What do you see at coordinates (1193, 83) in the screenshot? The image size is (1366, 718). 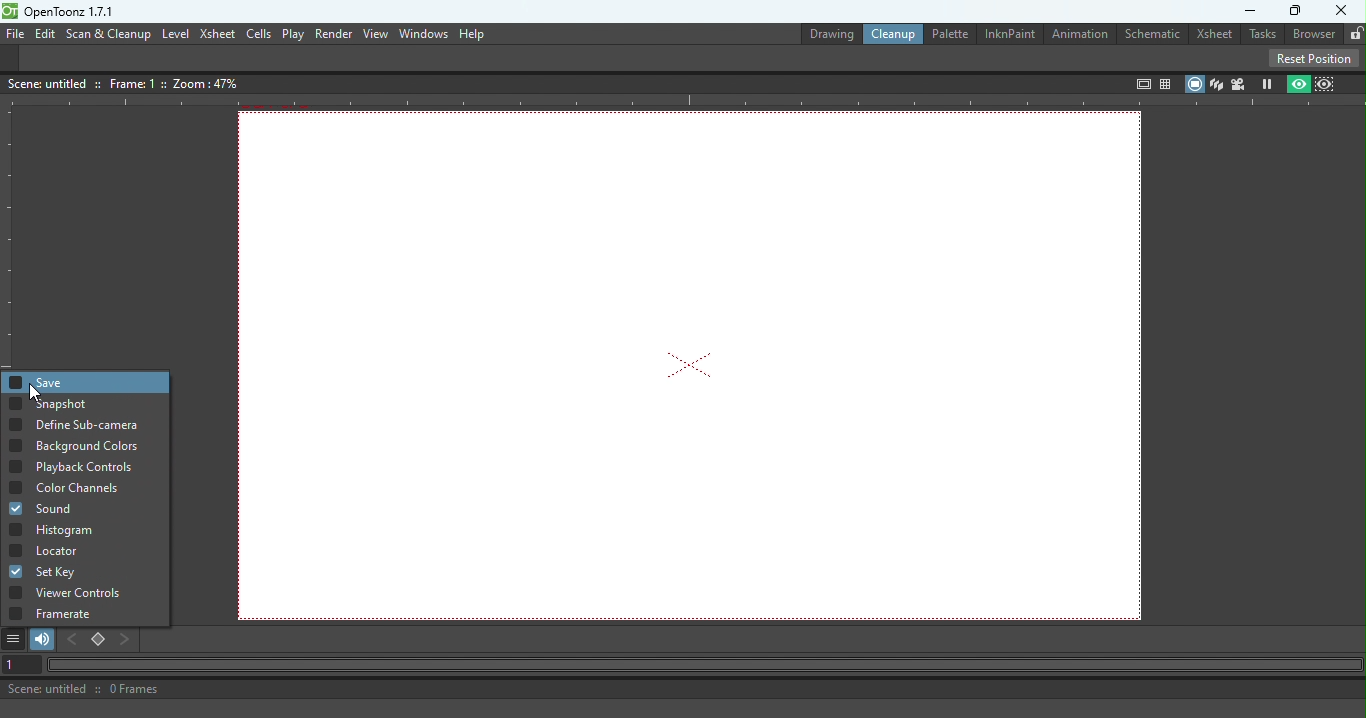 I see `Camera stand view` at bounding box center [1193, 83].